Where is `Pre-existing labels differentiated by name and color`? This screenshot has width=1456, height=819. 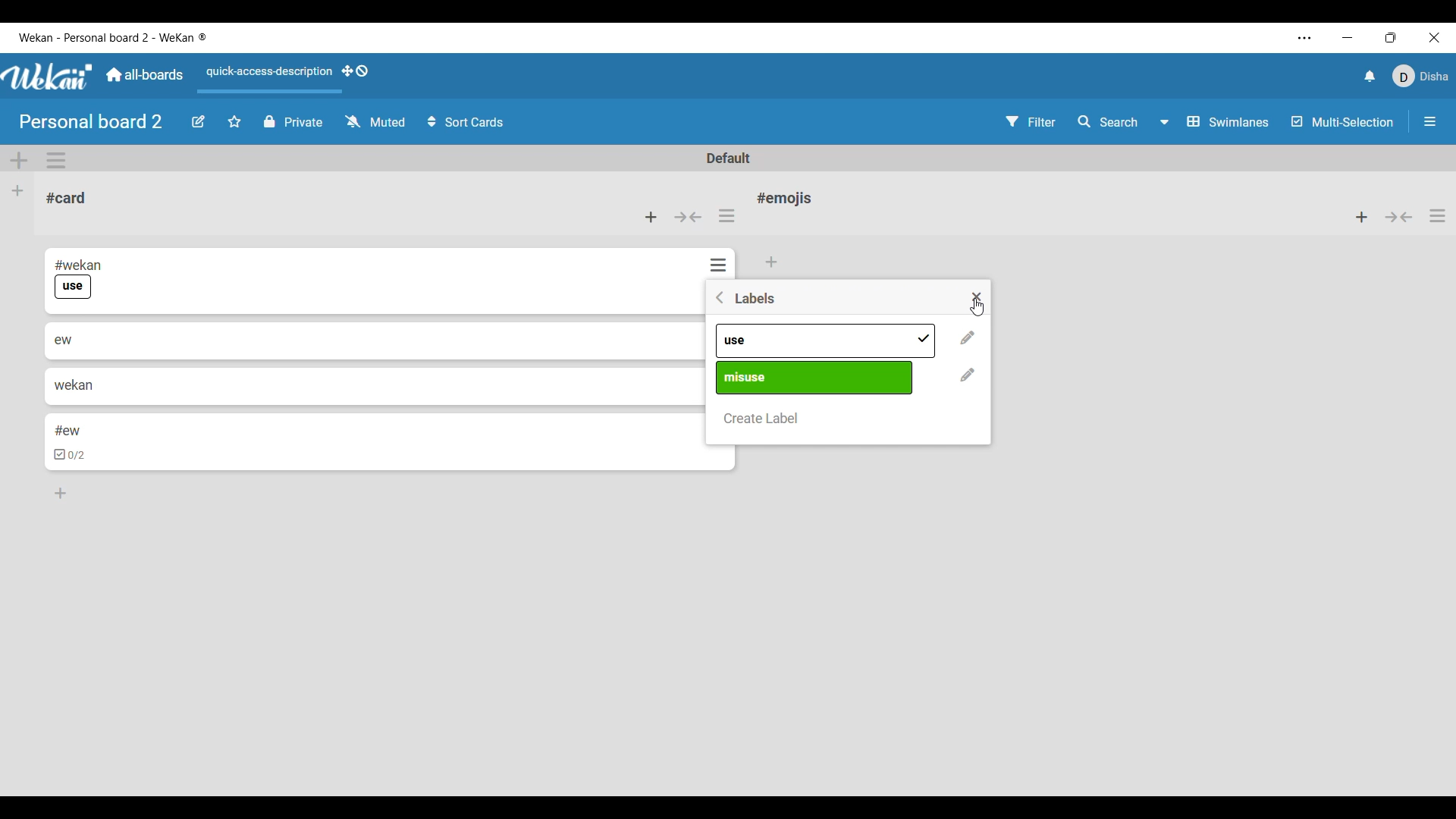
Pre-existing labels differentiated by name and color is located at coordinates (815, 340).